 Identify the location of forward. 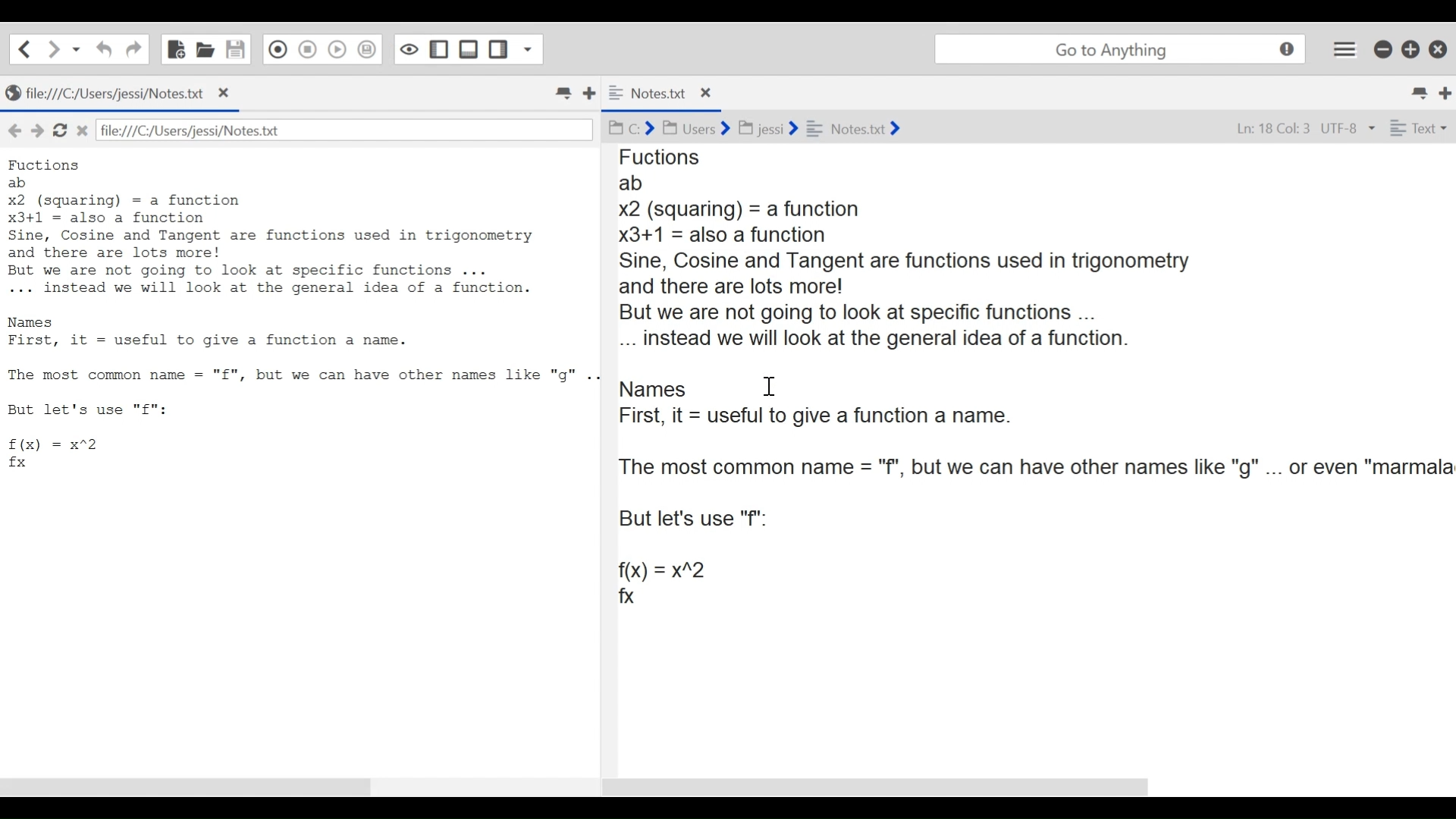
(37, 130).